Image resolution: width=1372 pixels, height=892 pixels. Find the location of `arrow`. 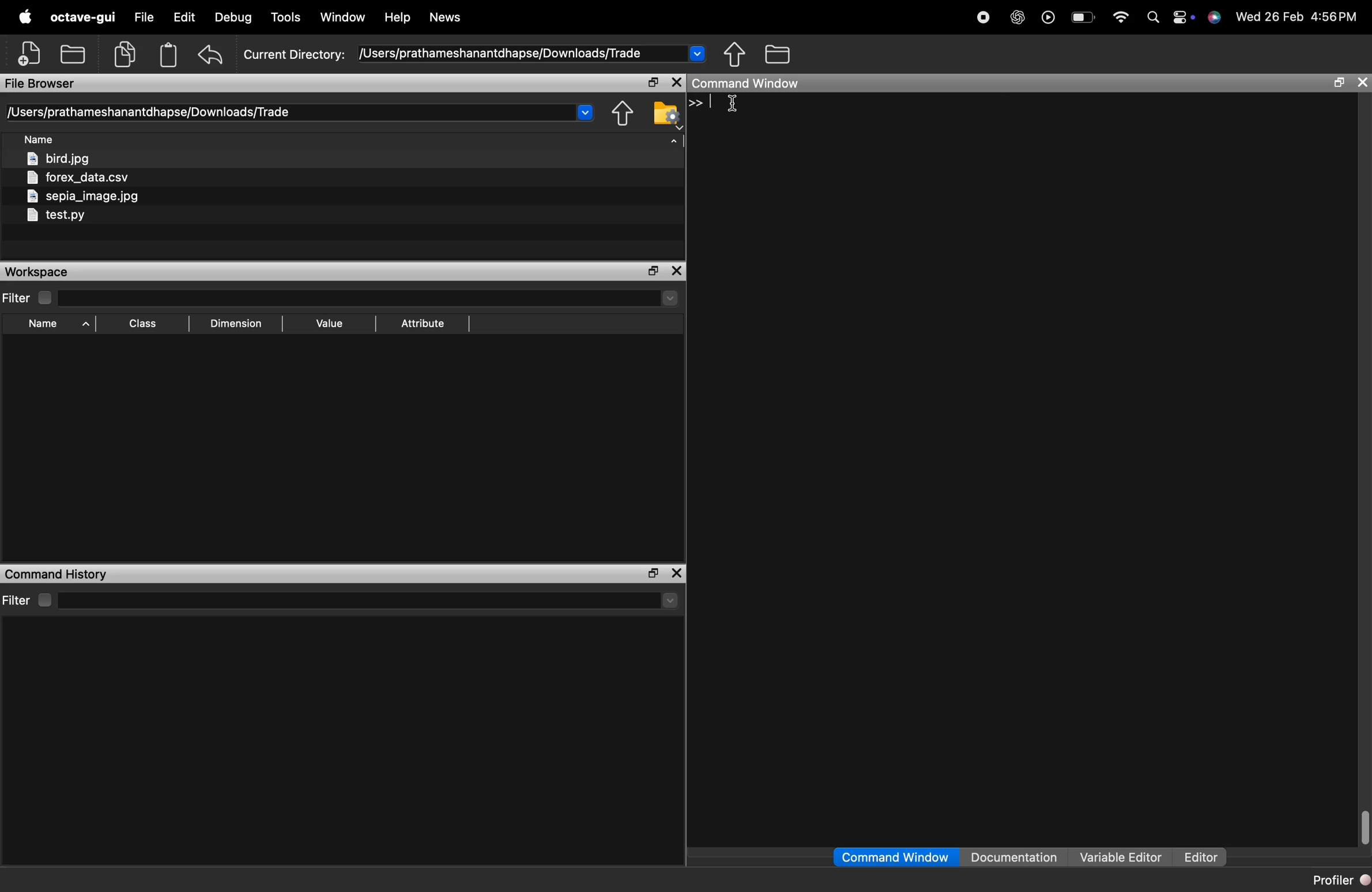

arrow is located at coordinates (677, 141).